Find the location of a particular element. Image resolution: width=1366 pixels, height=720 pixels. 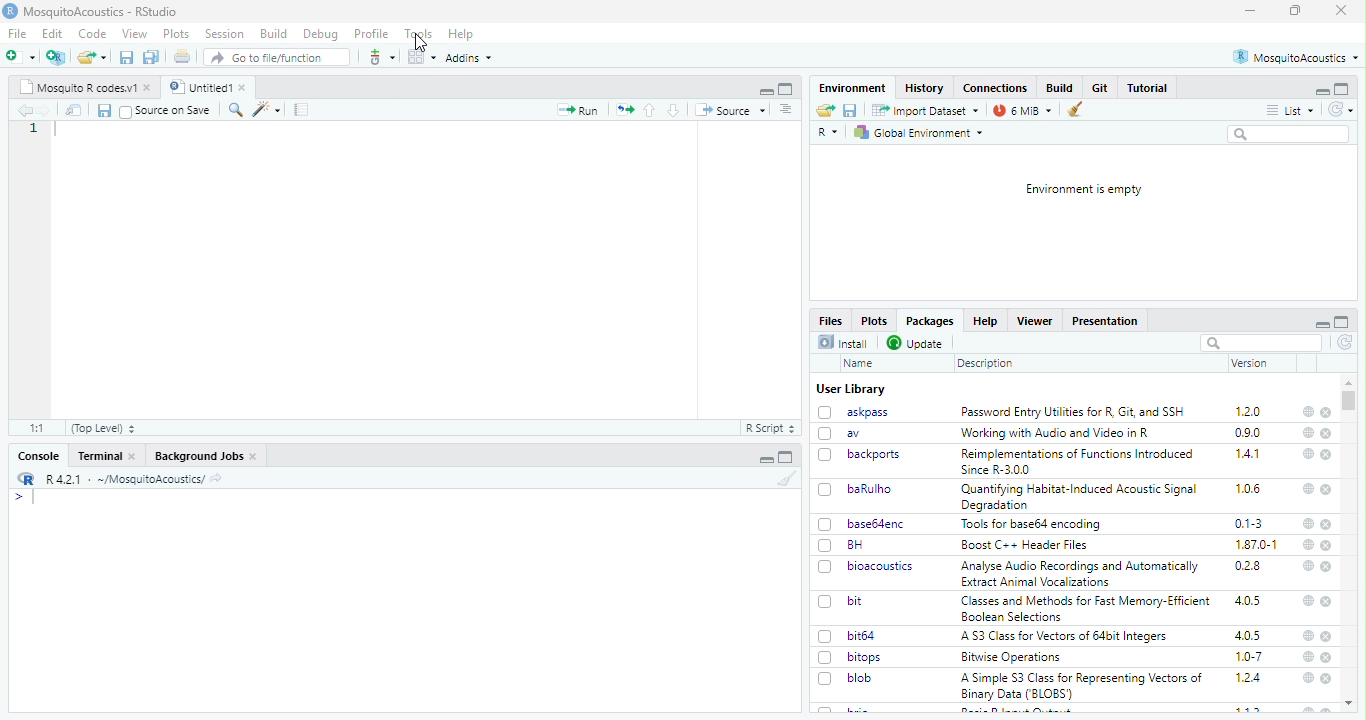

minimise is located at coordinates (1251, 11).